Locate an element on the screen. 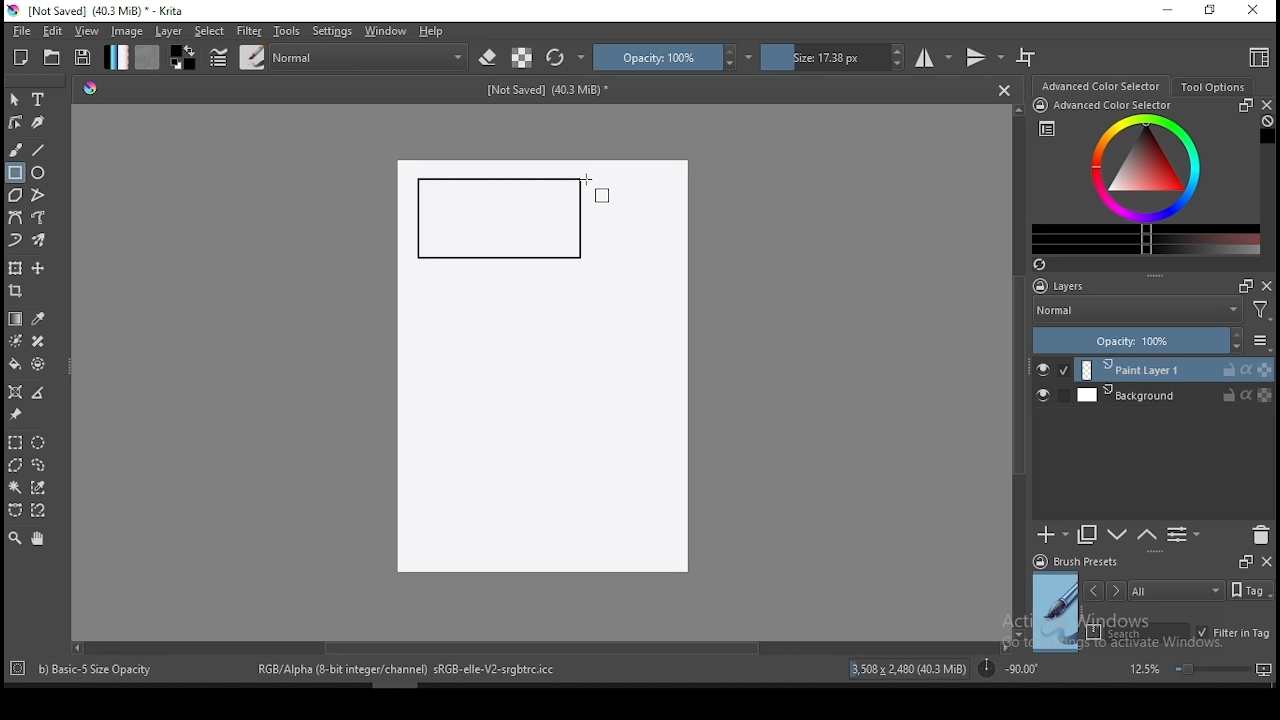 The image size is (1280, 720). edit is located at coordinates (52, 30).